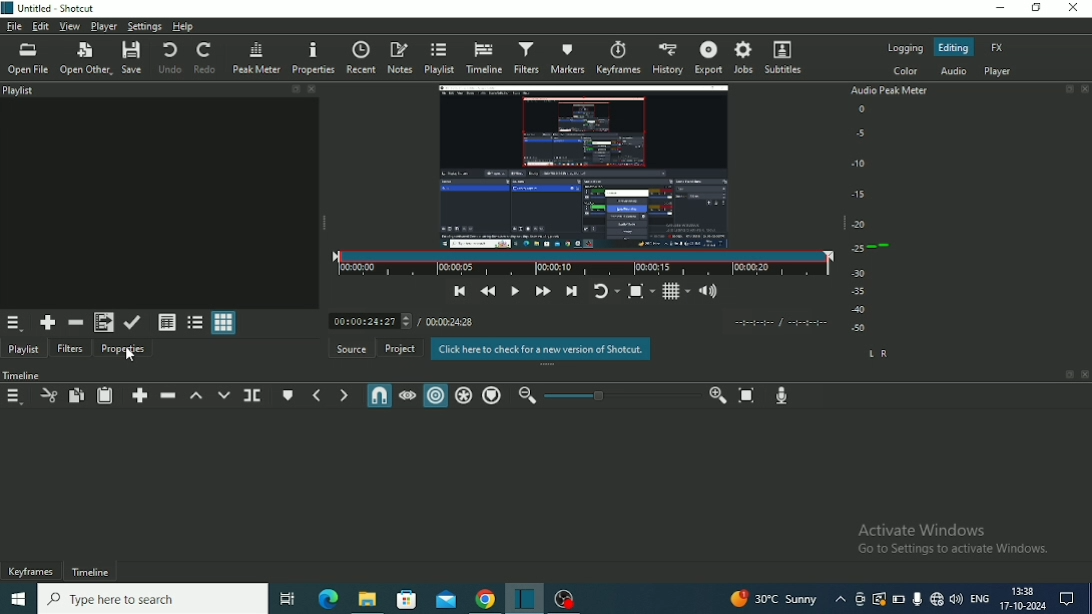 This screenshot has width=1092, height=614. I want to click on Recent, so click(359, 57).